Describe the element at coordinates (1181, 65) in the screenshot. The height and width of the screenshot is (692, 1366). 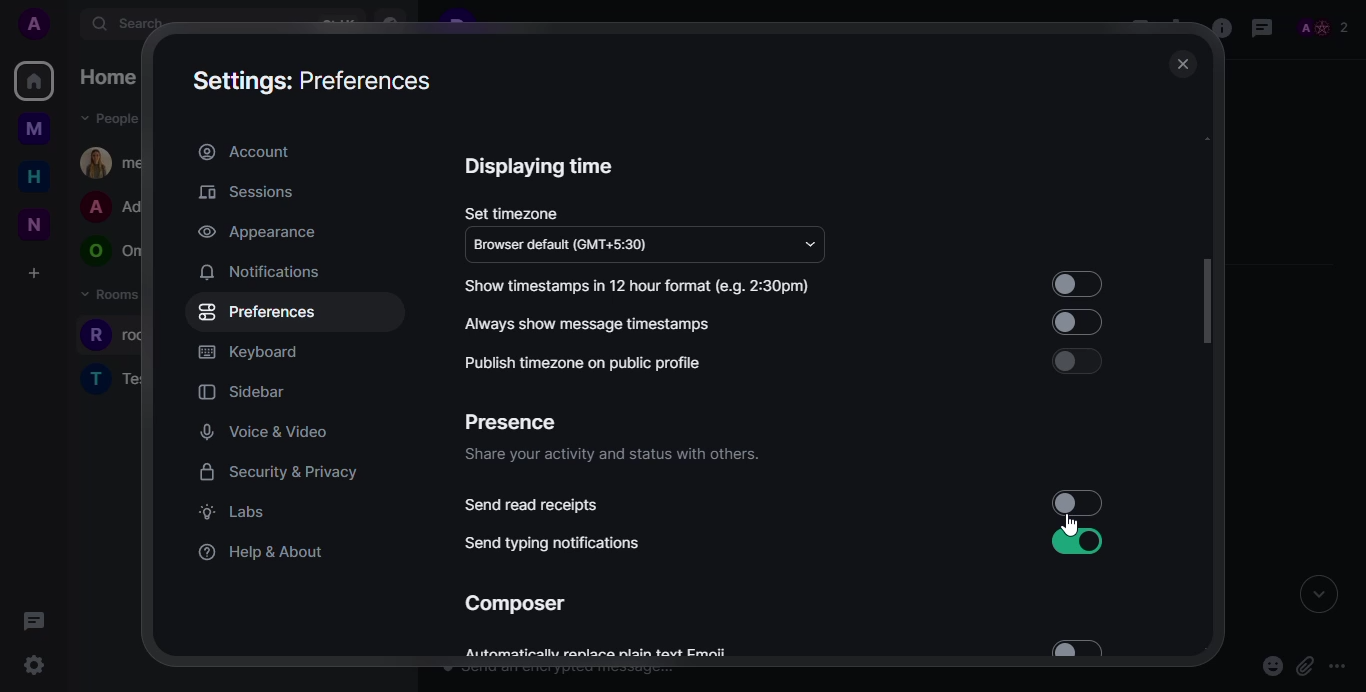
I see `close` at that location.